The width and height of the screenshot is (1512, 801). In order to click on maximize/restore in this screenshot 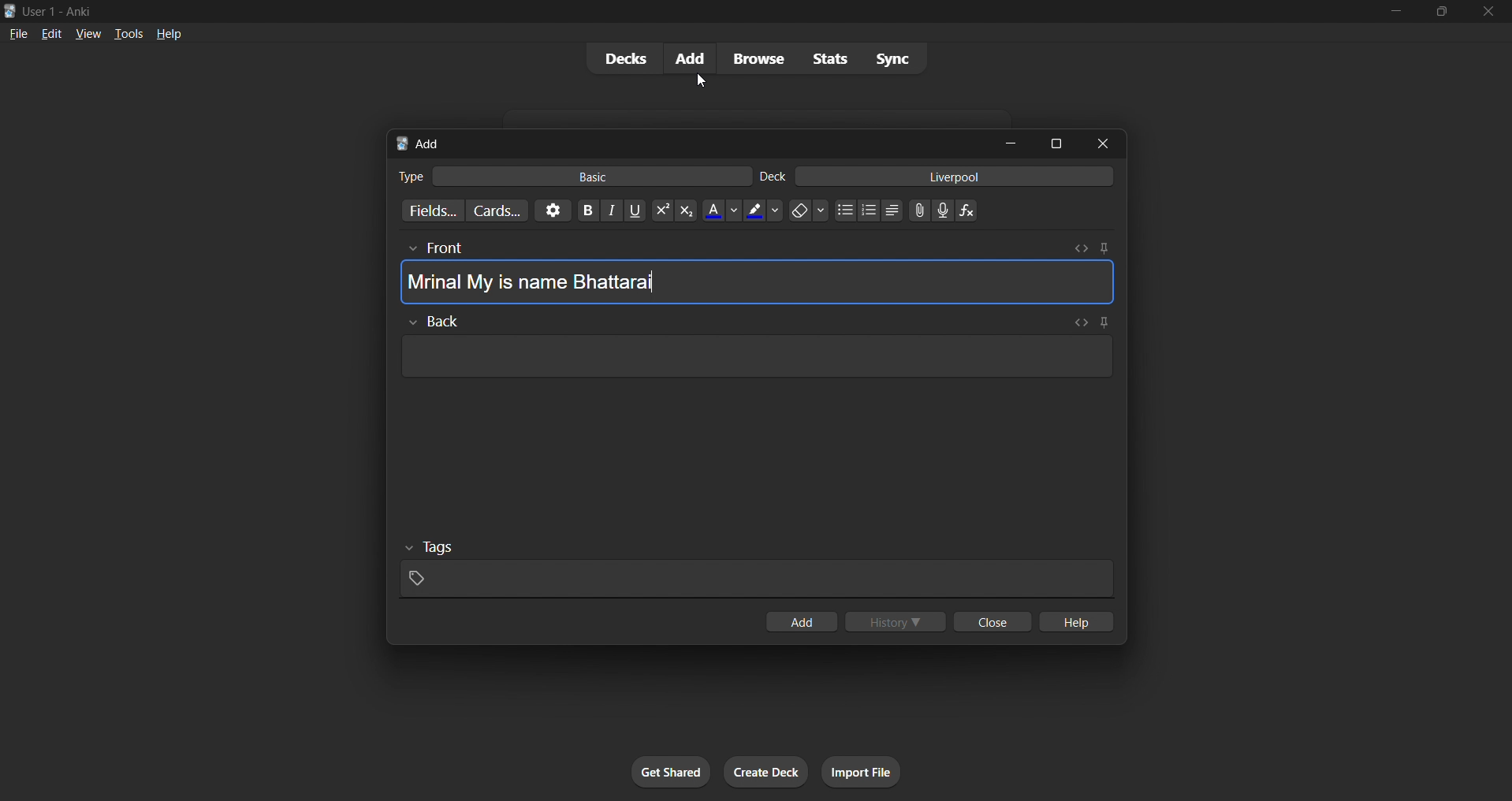, I will do `click(1447, 12)`.